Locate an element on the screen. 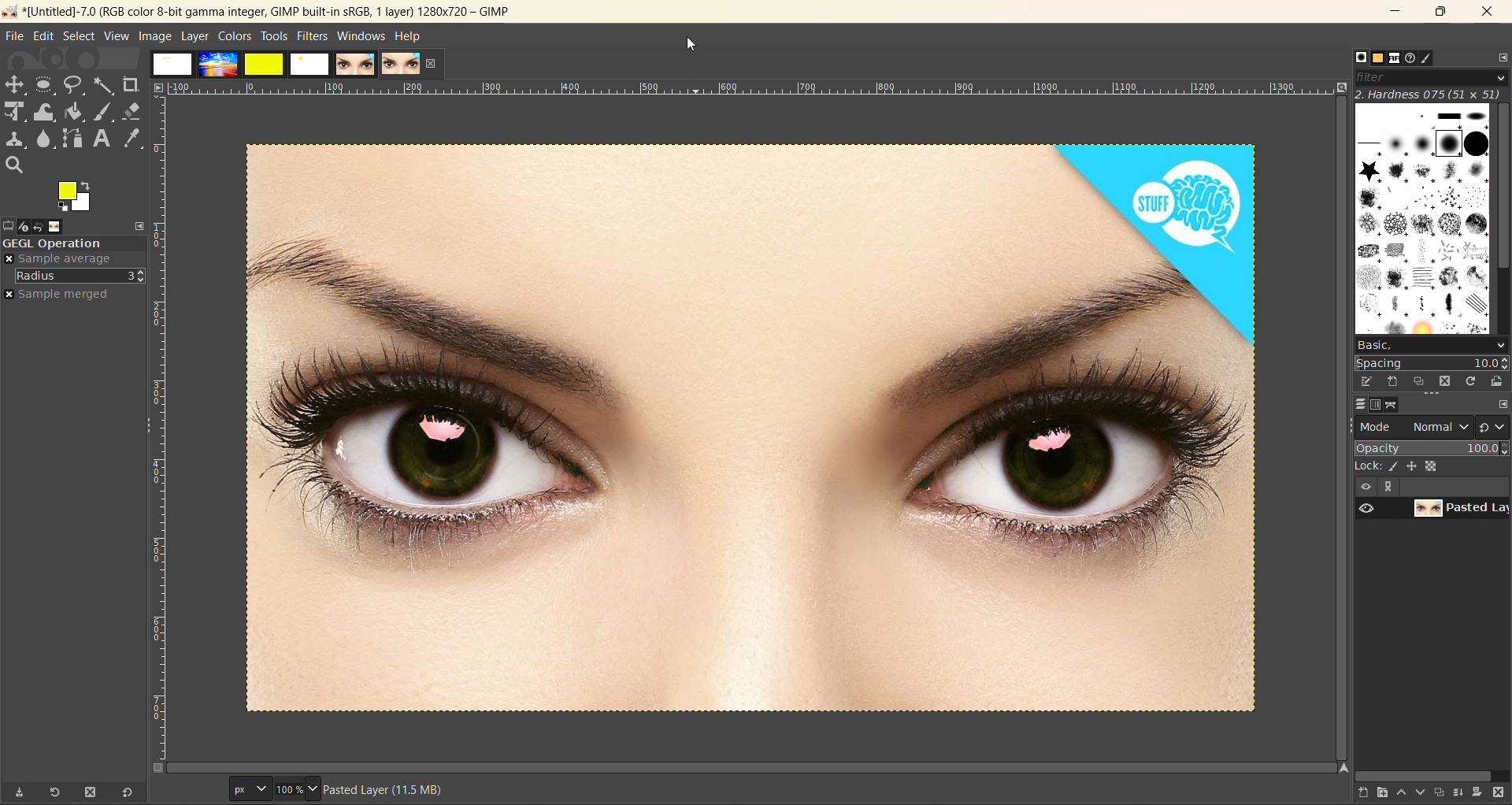 This screenshot has width=1512, height=805. layer is located at coordinates (1354, 406).